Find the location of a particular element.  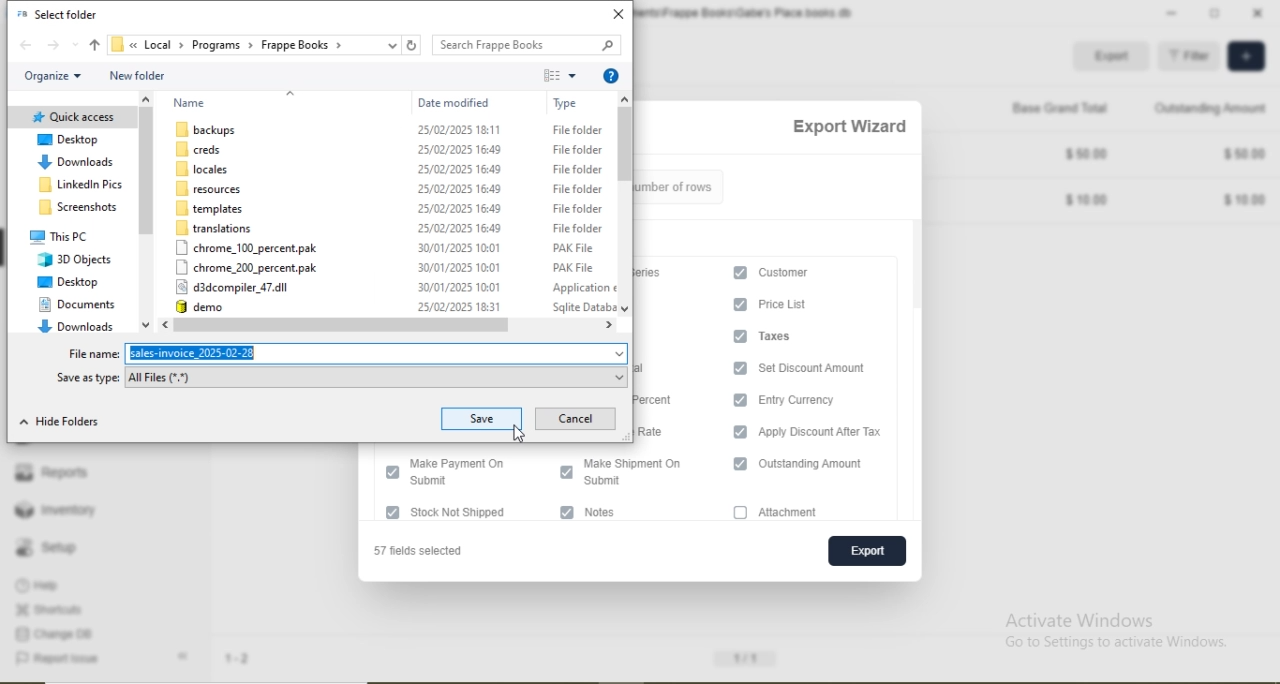

I Fep————
Submit is located at coordinates (467, 473).